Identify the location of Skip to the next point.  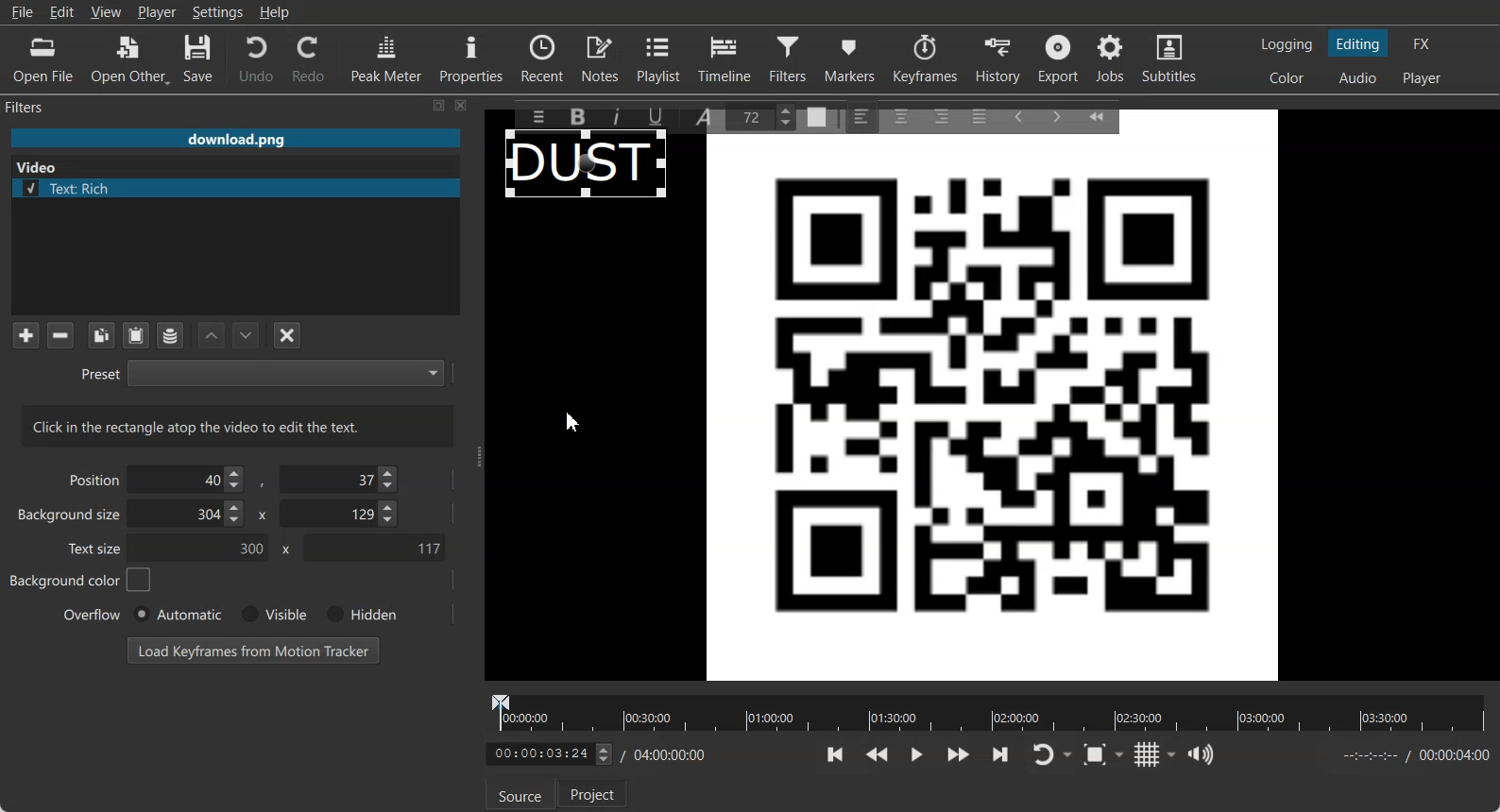
(999, 753).